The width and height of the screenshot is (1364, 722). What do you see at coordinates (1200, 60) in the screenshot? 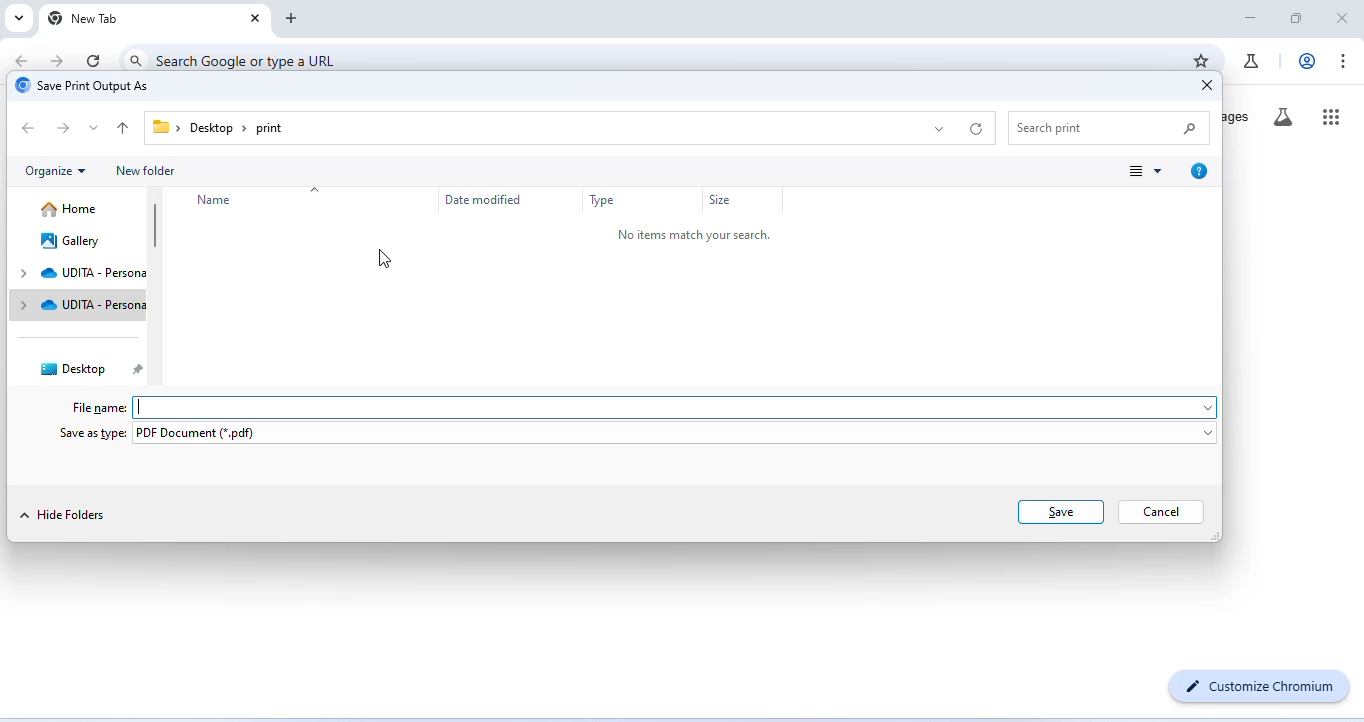
I see `add book marks` at bounding box center [1200, 60].